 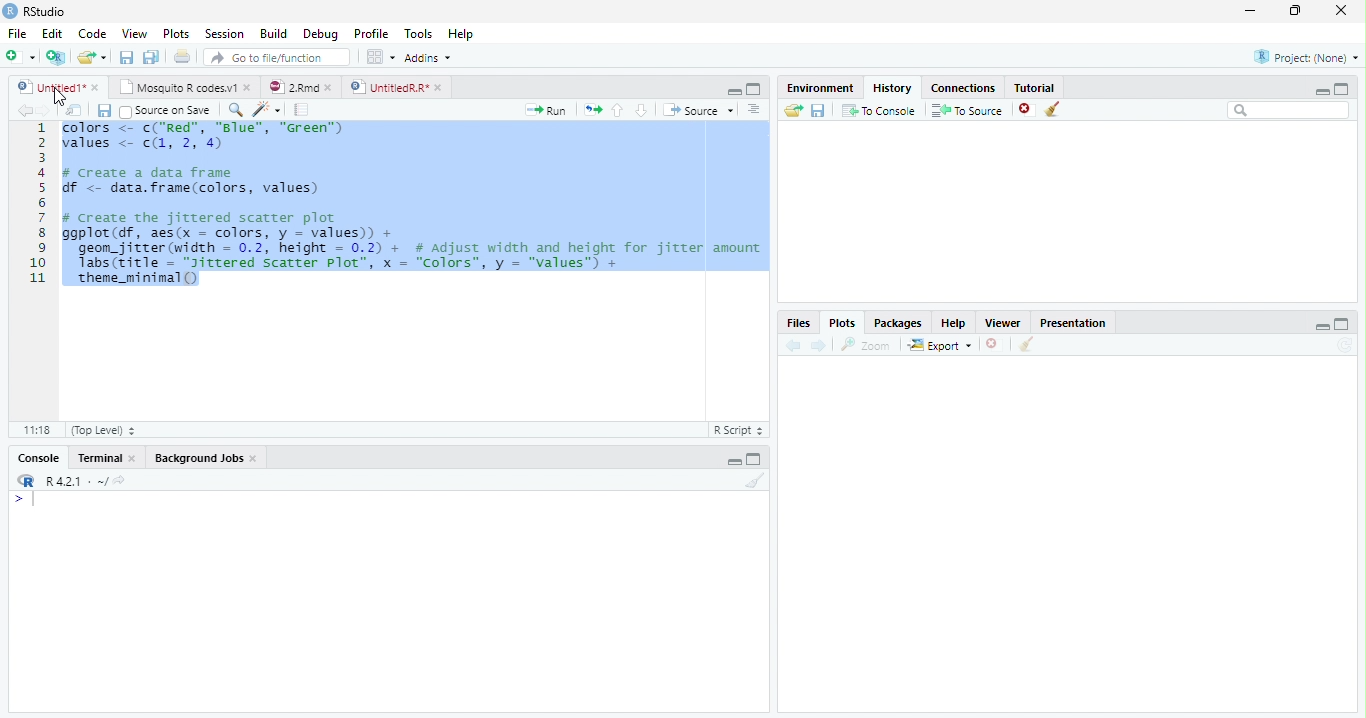 What do you see at coordinates (617, 110) in the screenshot?
I see `Go to previous section/chunk` at bounding box center [617, 110].